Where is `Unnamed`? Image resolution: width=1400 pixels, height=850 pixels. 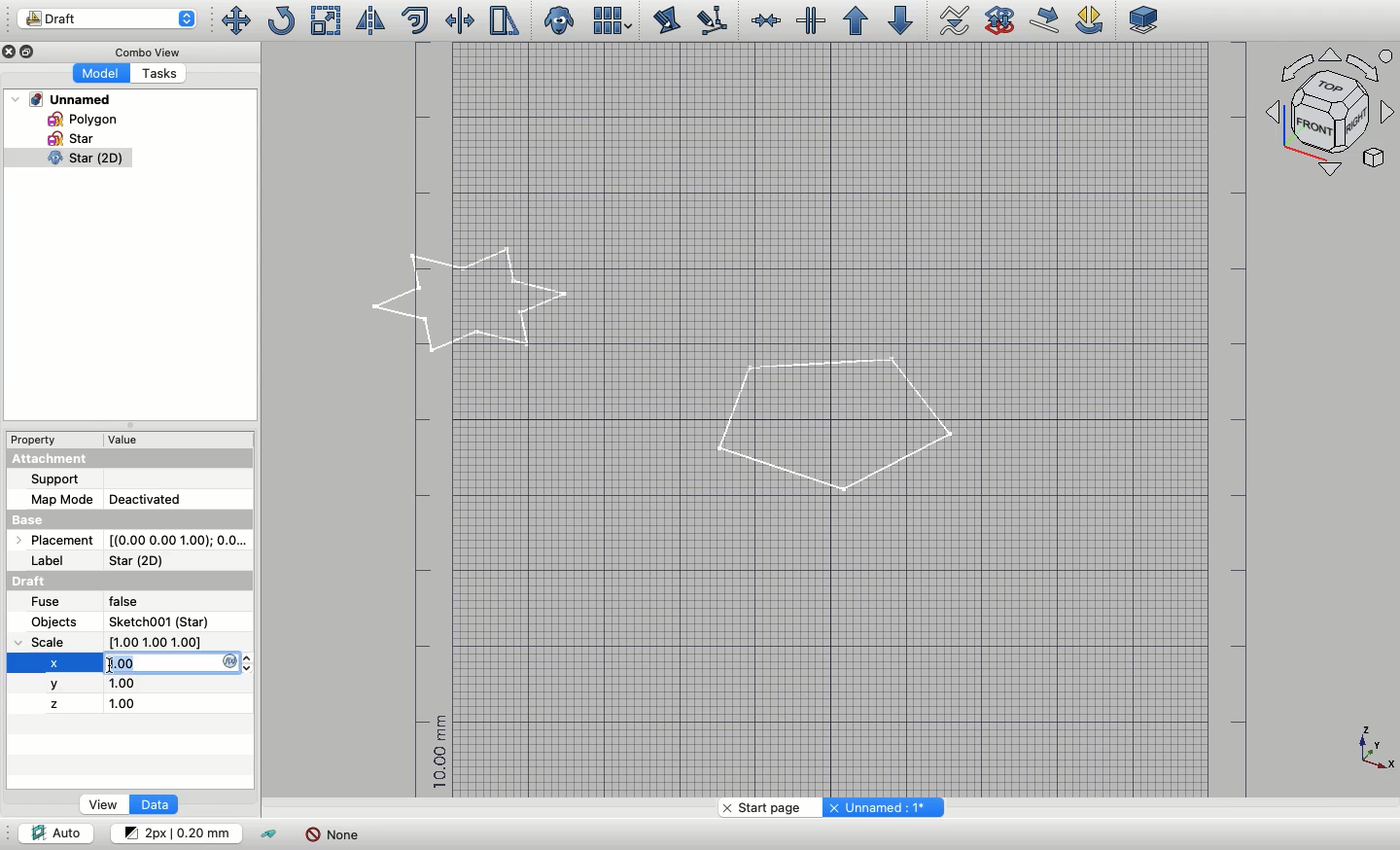 Unnamed is located at coordinates (62, 99).